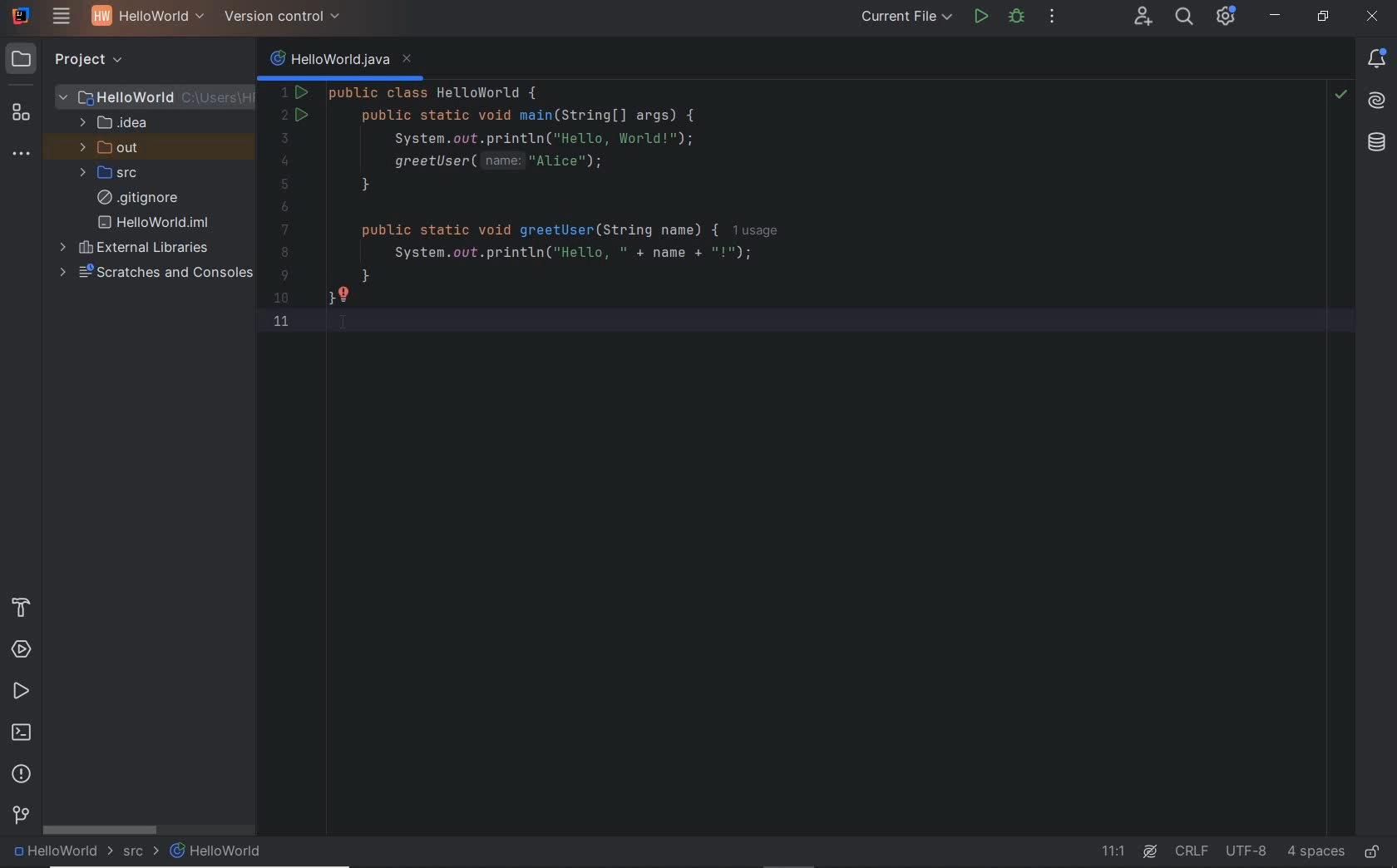  I want to click on This java code defines a HelloWorld class with a main method that prints "Hello,World!" and attempts to call a greetUser method with "Alice"., so click(762, 219).